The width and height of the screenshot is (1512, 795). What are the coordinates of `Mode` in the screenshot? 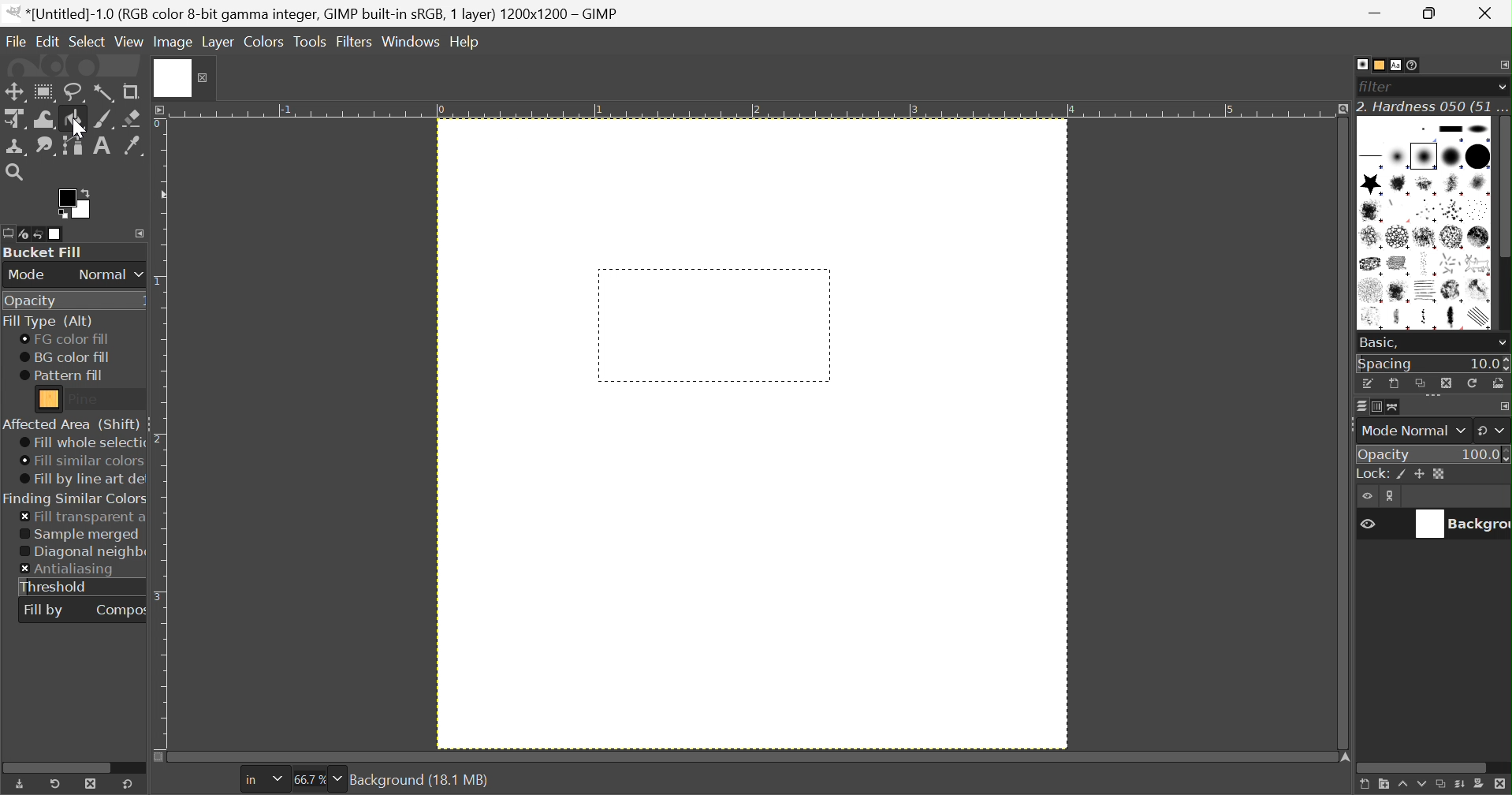 It's located at (28, 275).